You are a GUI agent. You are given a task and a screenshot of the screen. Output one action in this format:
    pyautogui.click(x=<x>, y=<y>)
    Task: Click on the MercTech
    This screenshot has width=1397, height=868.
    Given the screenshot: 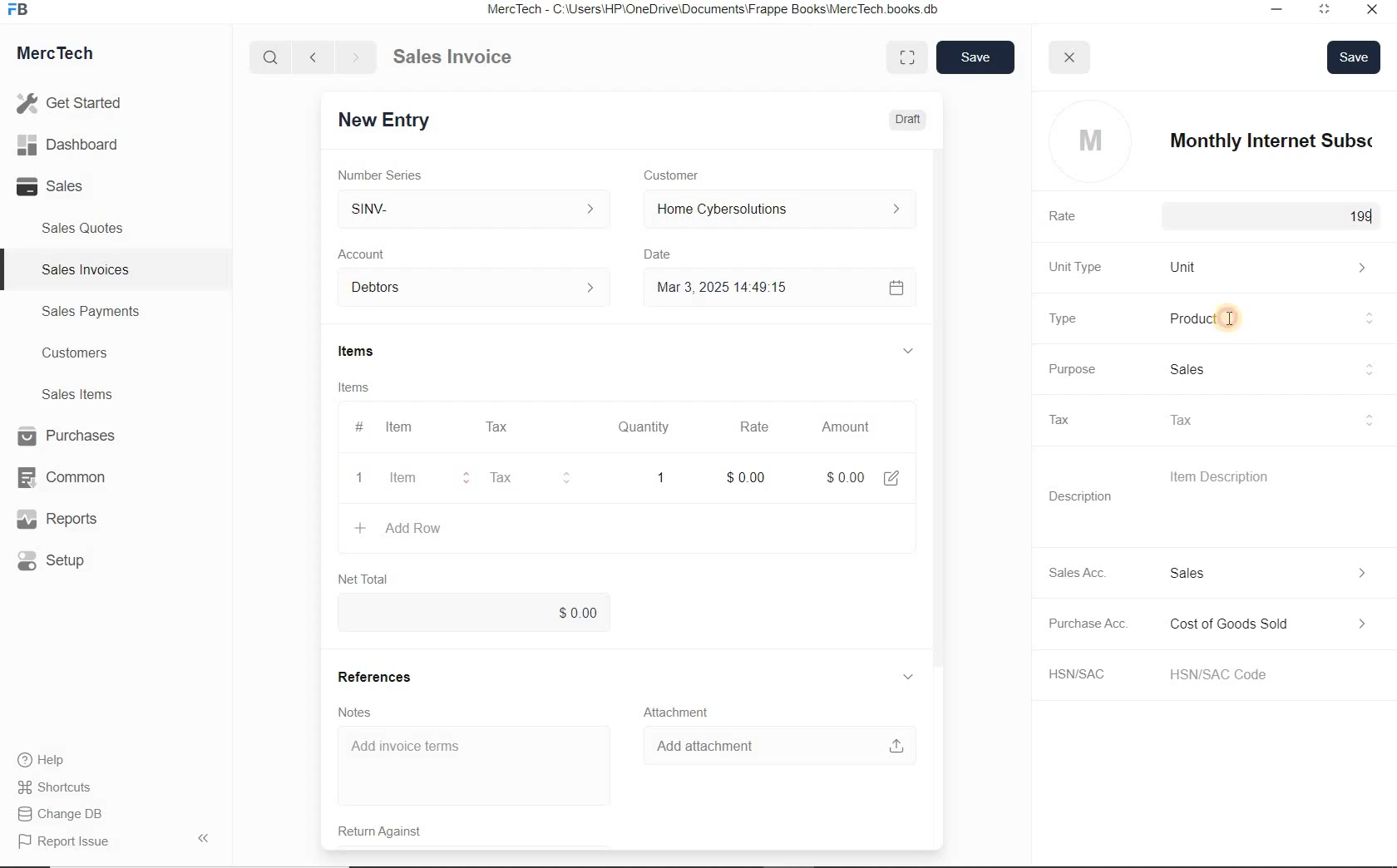 What is the action you would take?
    pyautogui.click(x=63, y=57)
    